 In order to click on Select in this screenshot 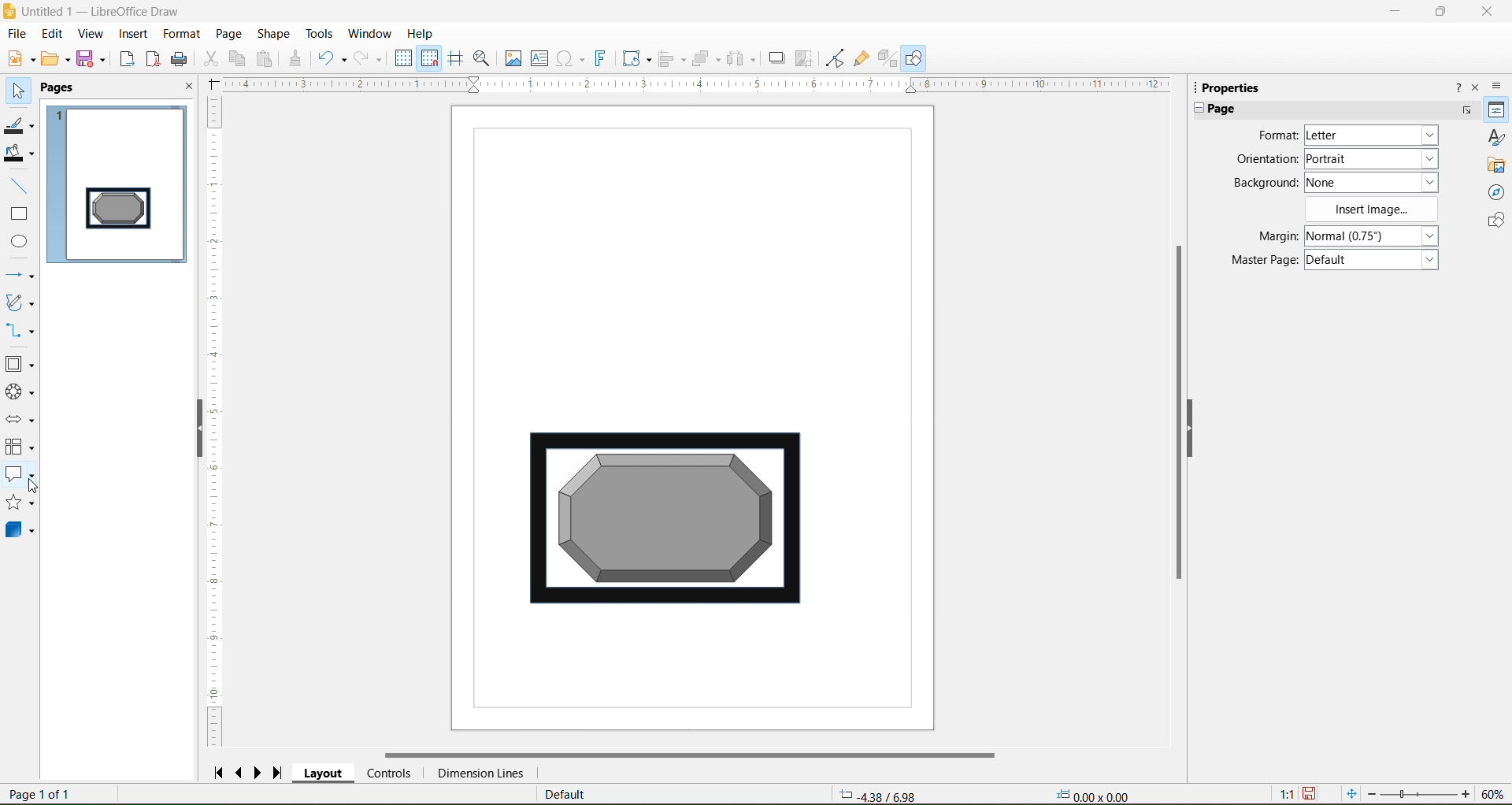, I will do `click(19, 91)`.